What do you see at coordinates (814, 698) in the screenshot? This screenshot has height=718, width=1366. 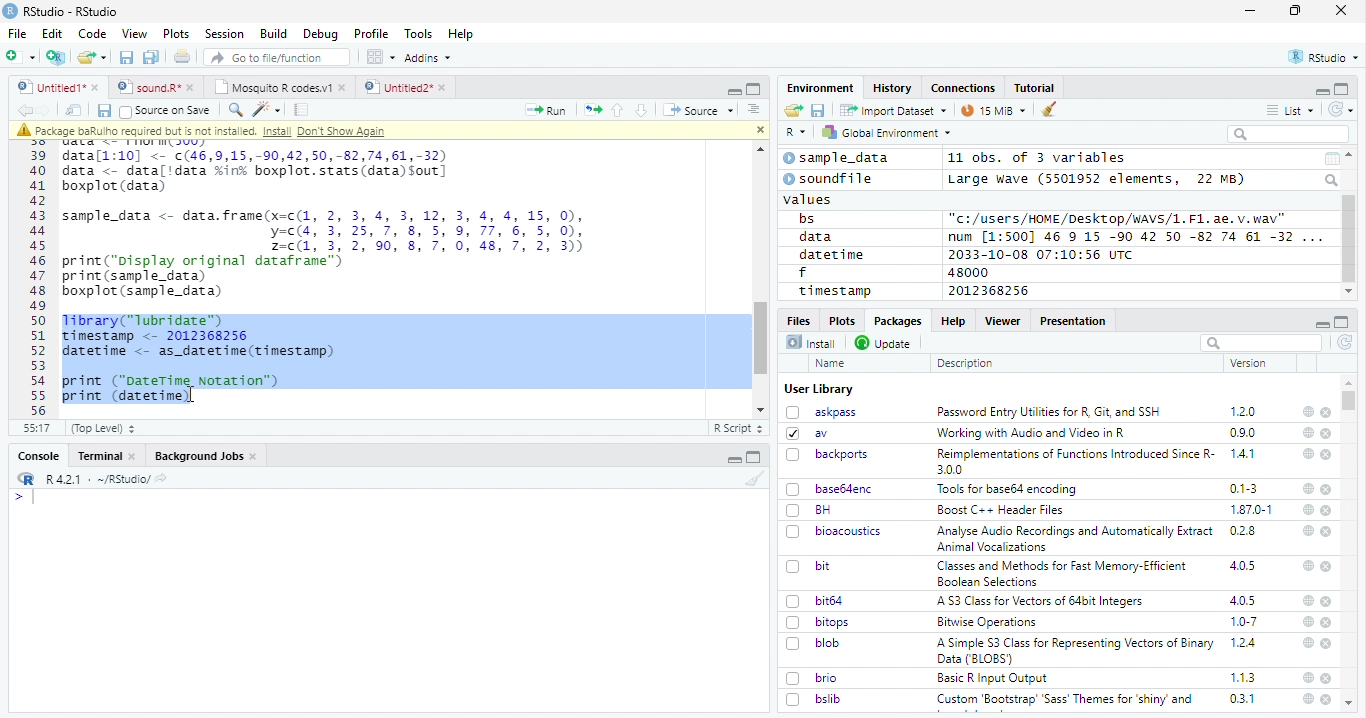 I see `bslib` at bounding box center [814, 698].